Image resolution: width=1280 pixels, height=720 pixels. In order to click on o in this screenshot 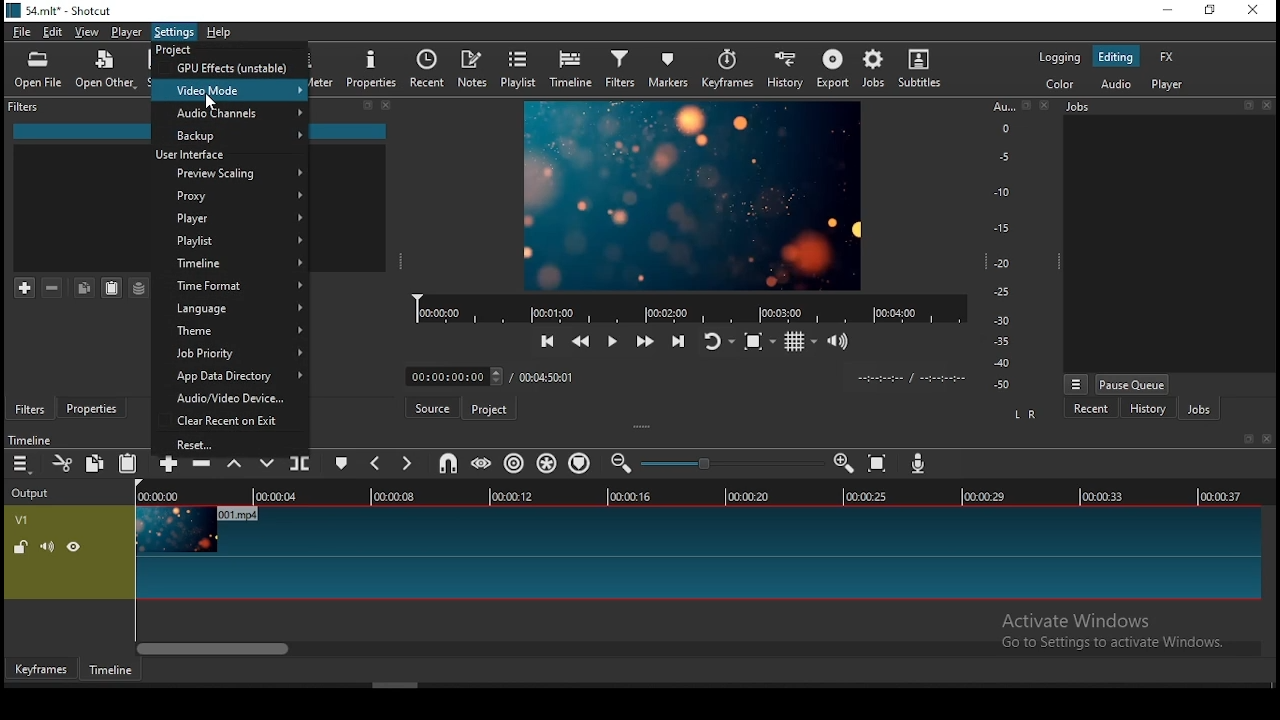, I will do `click(998, 127)`.